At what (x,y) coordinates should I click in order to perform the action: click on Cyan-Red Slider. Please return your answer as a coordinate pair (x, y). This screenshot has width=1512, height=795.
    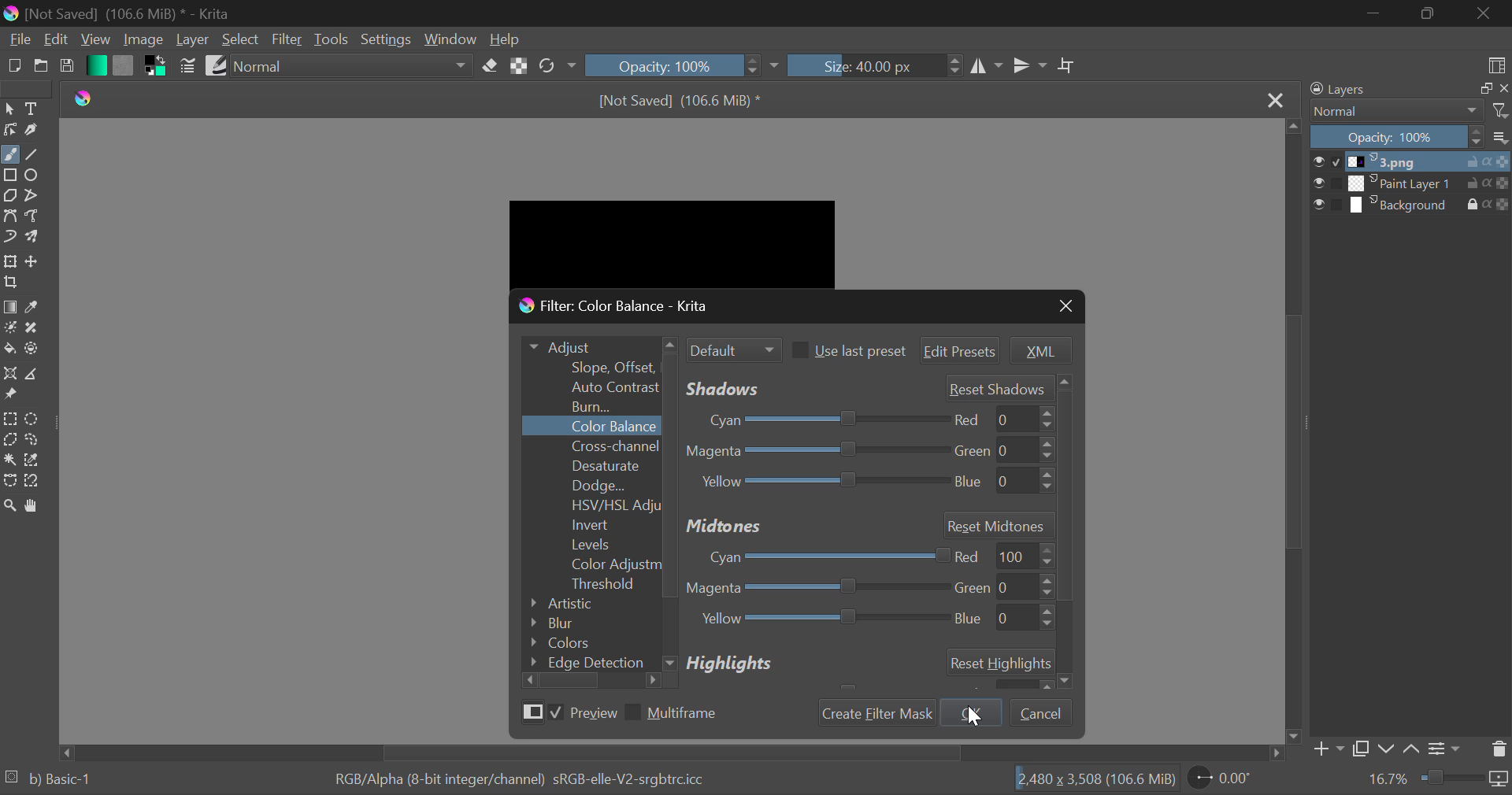
    Looking at the image, I should click on (817, 421).